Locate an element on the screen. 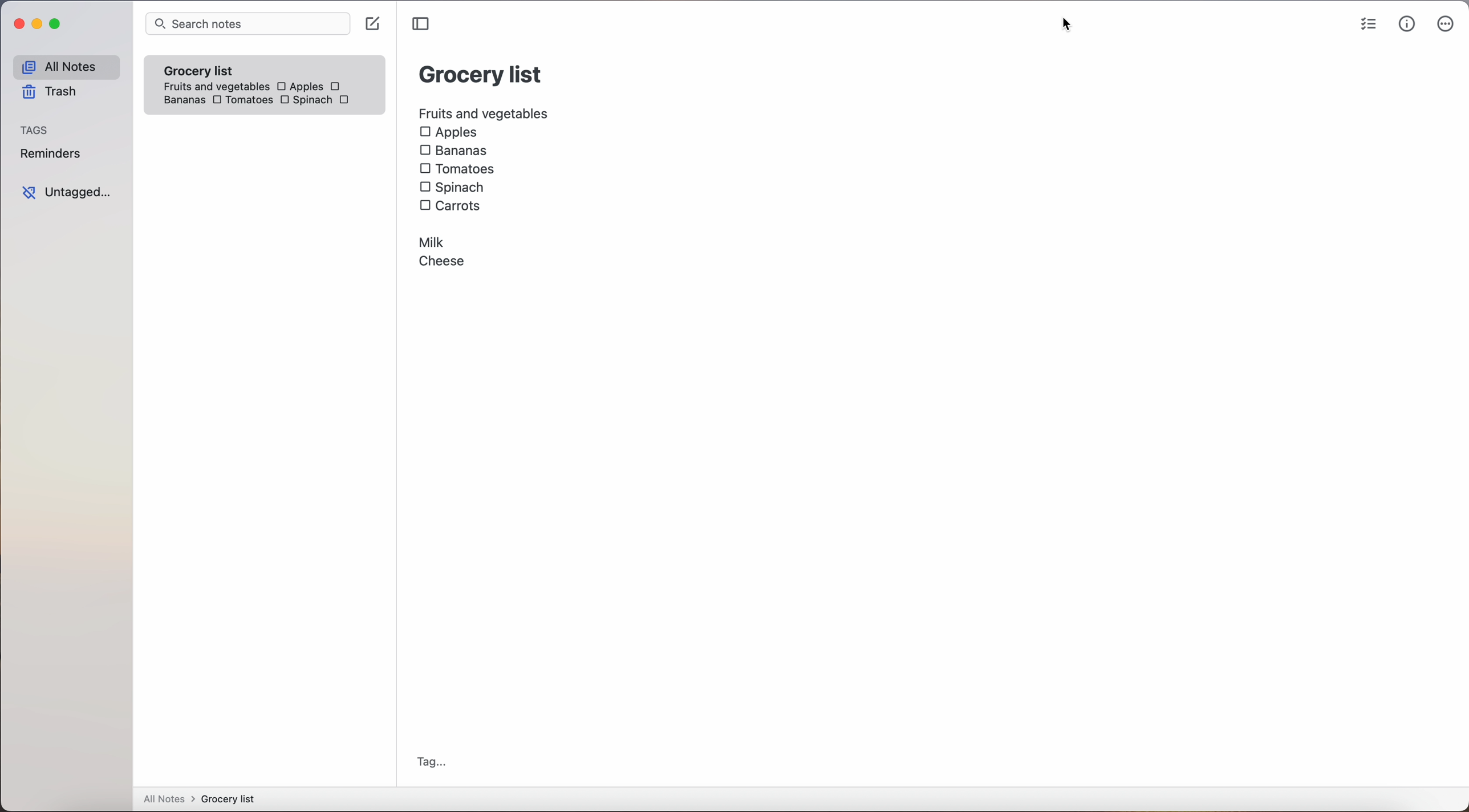 The width and height of the screenshot is (1469, 812). maximize is located at coordinates (58, 25).